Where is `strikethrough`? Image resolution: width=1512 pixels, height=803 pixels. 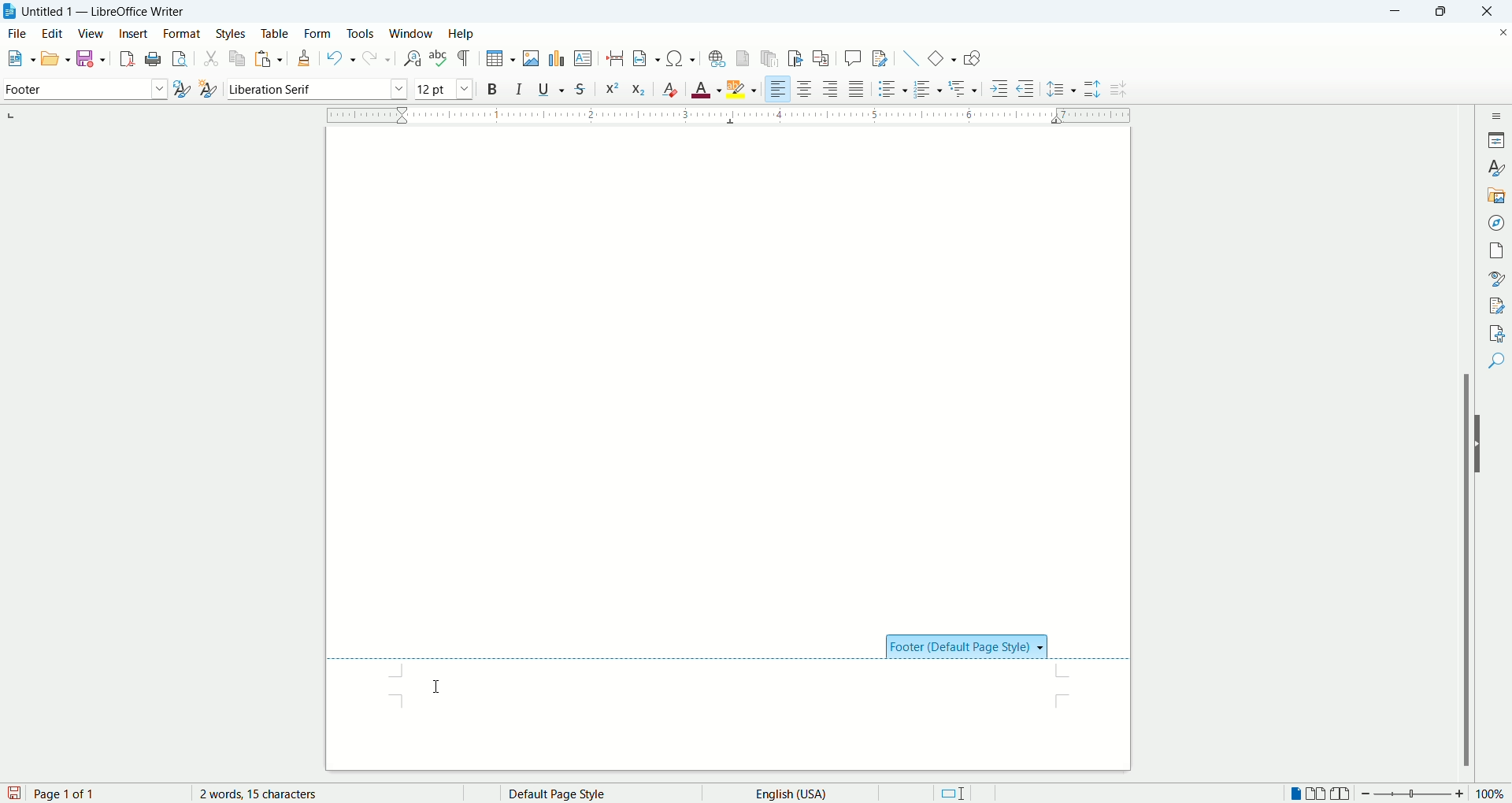
strikethrough is located at coordinates (580, 91).